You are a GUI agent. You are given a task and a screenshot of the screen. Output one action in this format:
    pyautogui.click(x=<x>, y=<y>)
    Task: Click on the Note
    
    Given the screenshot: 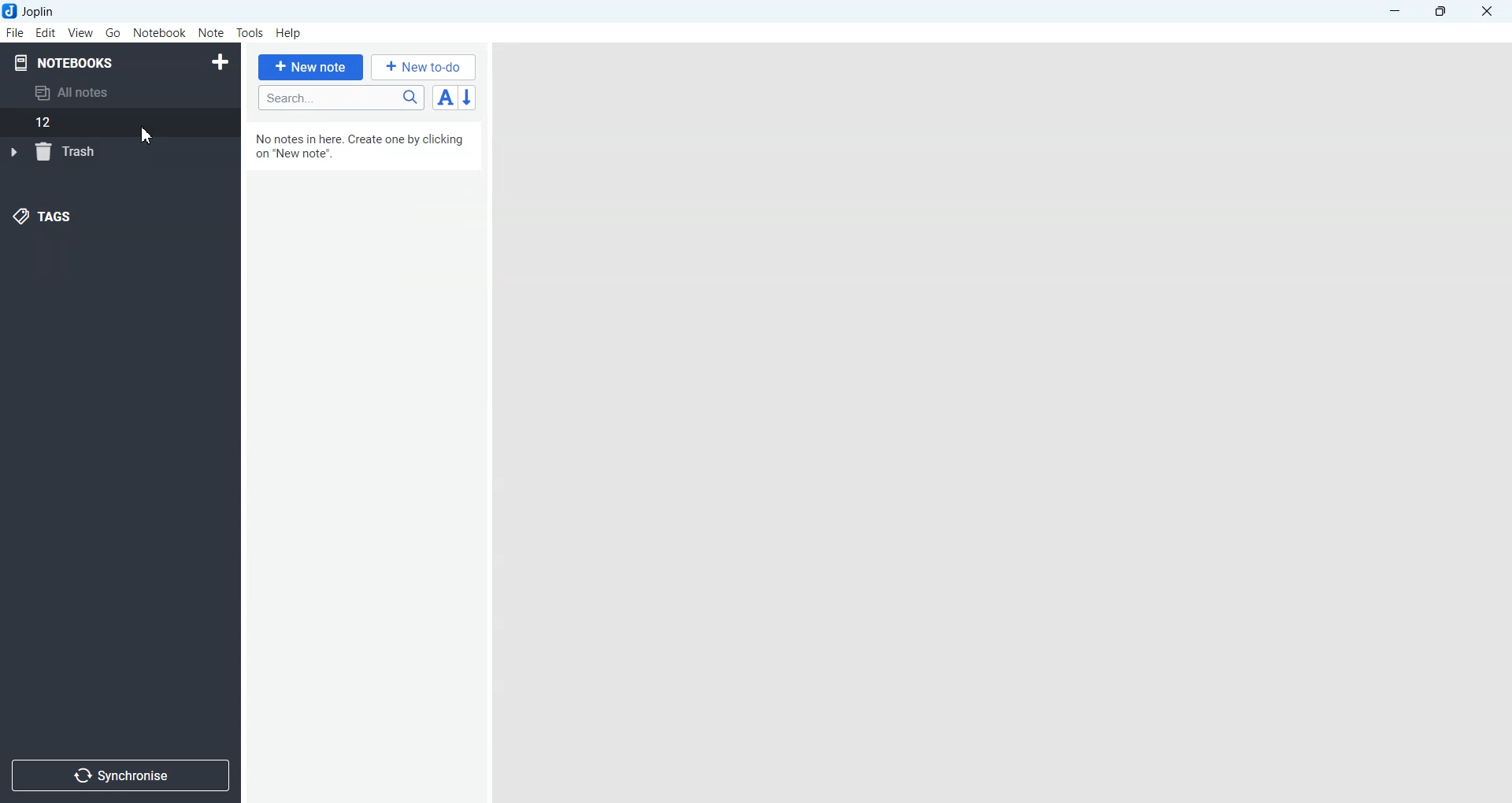 What is the action you would take?
    pyautogui.click(x=210, y=33)
    